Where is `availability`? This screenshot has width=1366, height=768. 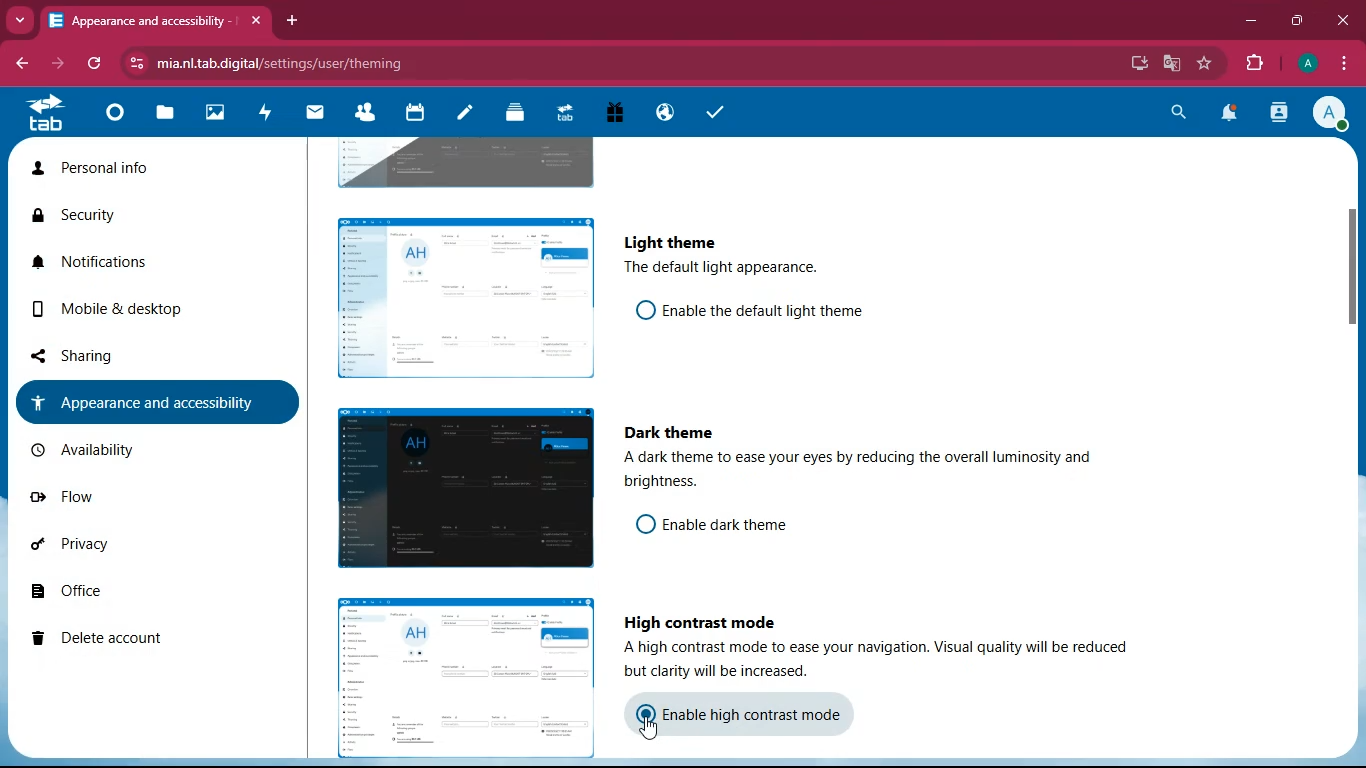
availability is located at coordinates (135, 448).